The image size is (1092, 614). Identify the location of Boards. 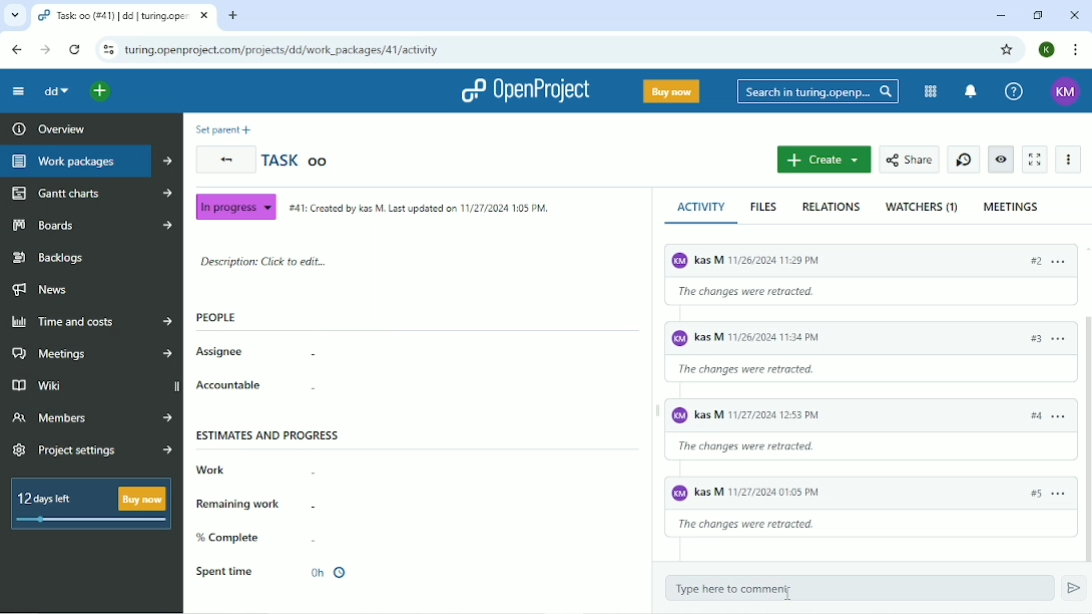
(91, 224).